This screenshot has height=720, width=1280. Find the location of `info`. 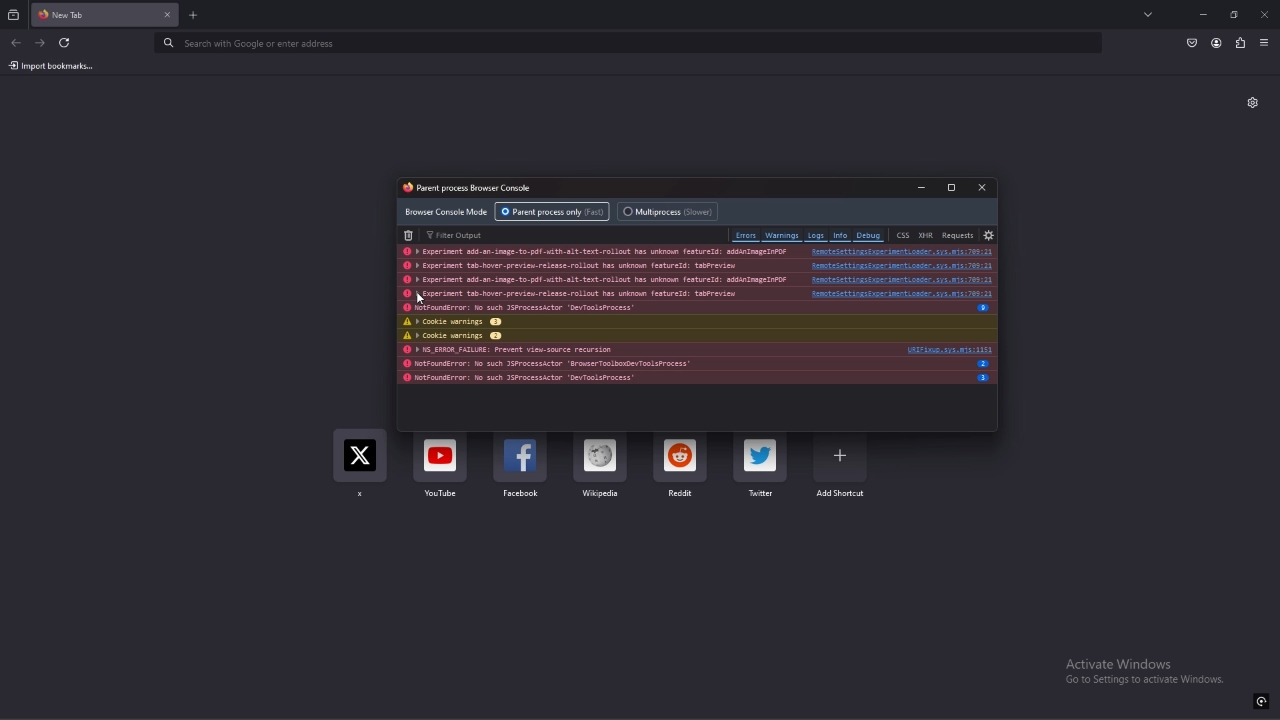

info is located at coordinates (985, 363).